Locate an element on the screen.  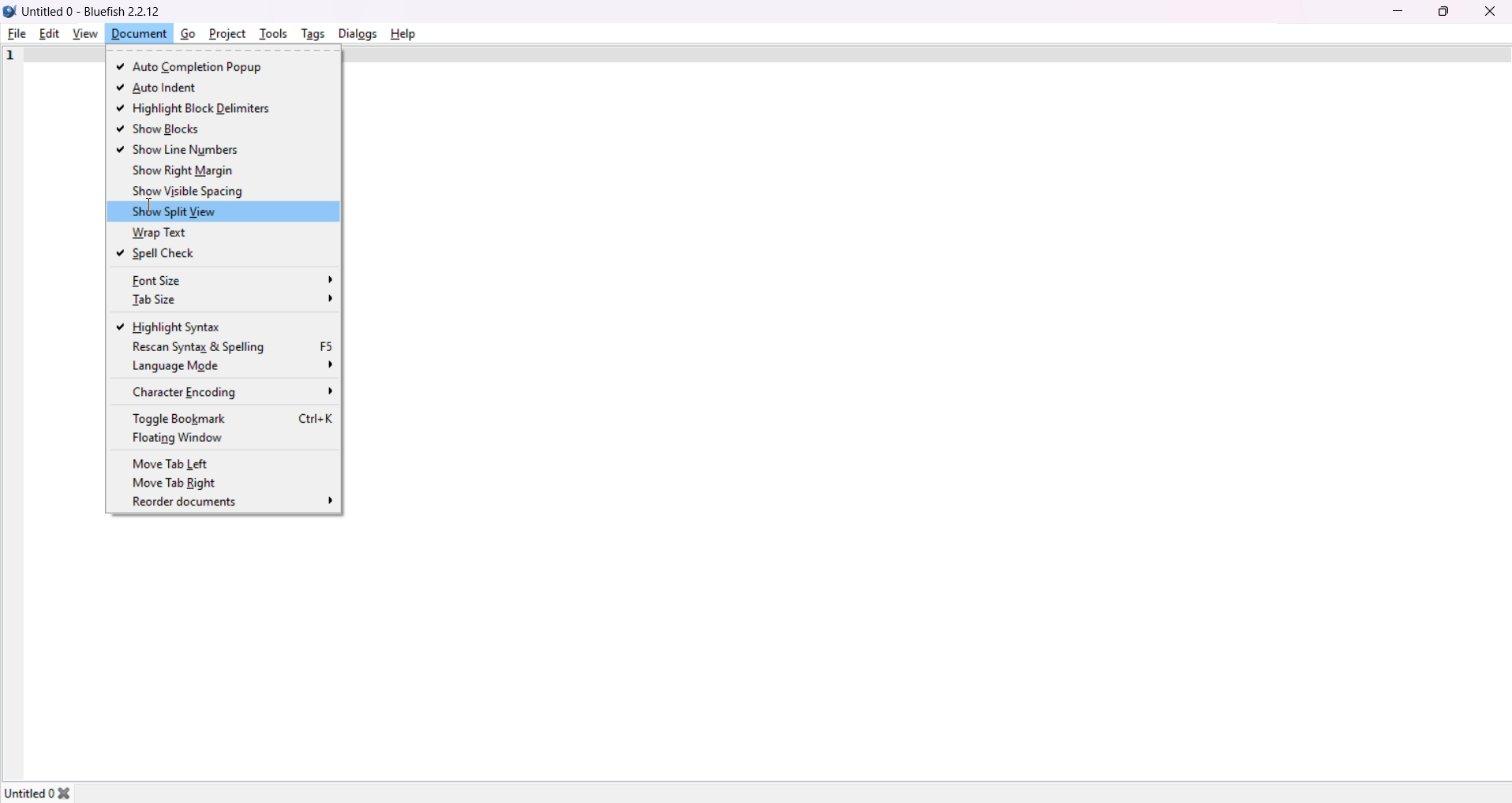
maximize is located at coordinates (1443, 10).